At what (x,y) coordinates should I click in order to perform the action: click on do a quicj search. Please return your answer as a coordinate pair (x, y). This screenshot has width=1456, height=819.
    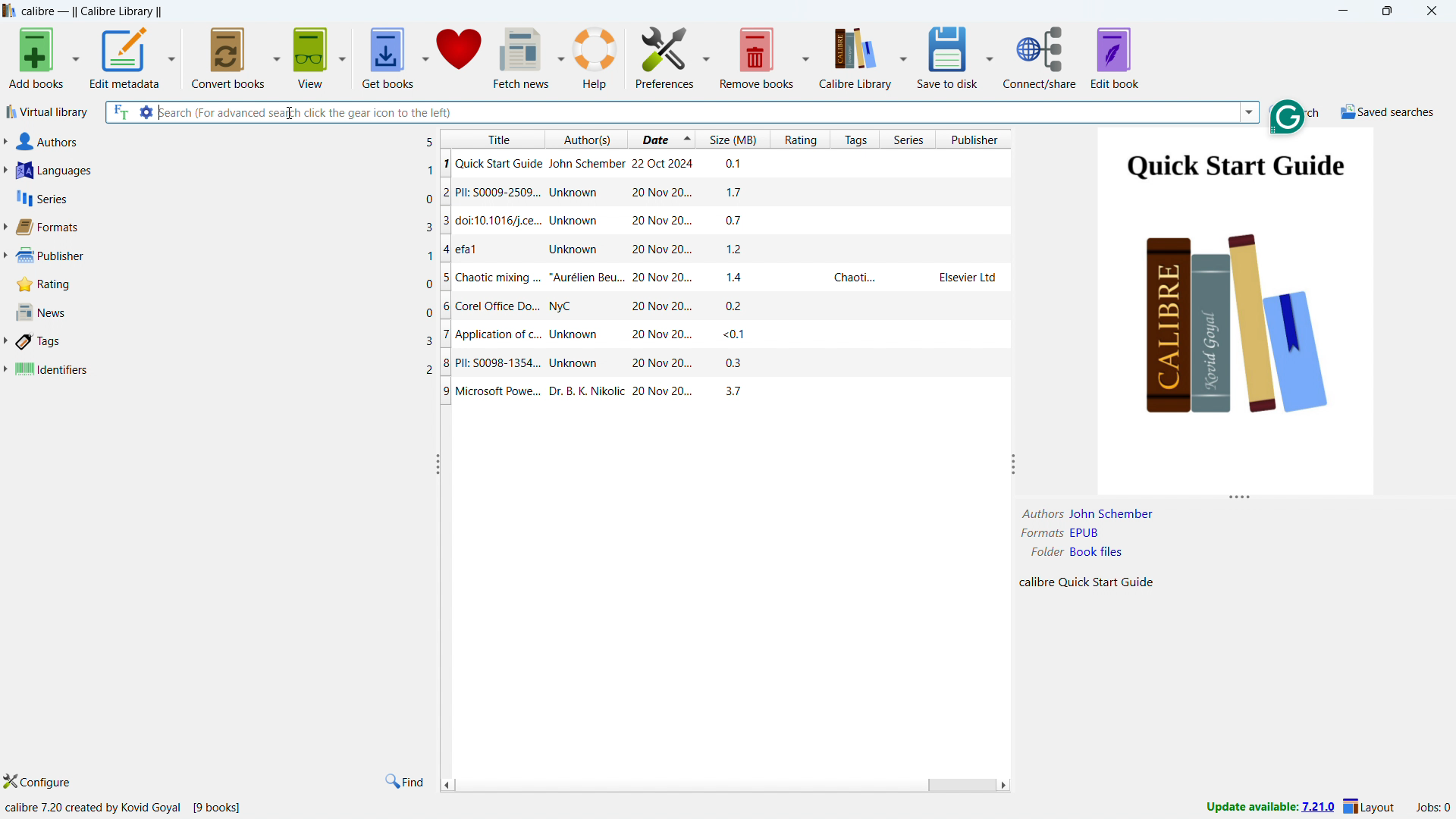
    Looking at the image, I should click on (1295, 111).